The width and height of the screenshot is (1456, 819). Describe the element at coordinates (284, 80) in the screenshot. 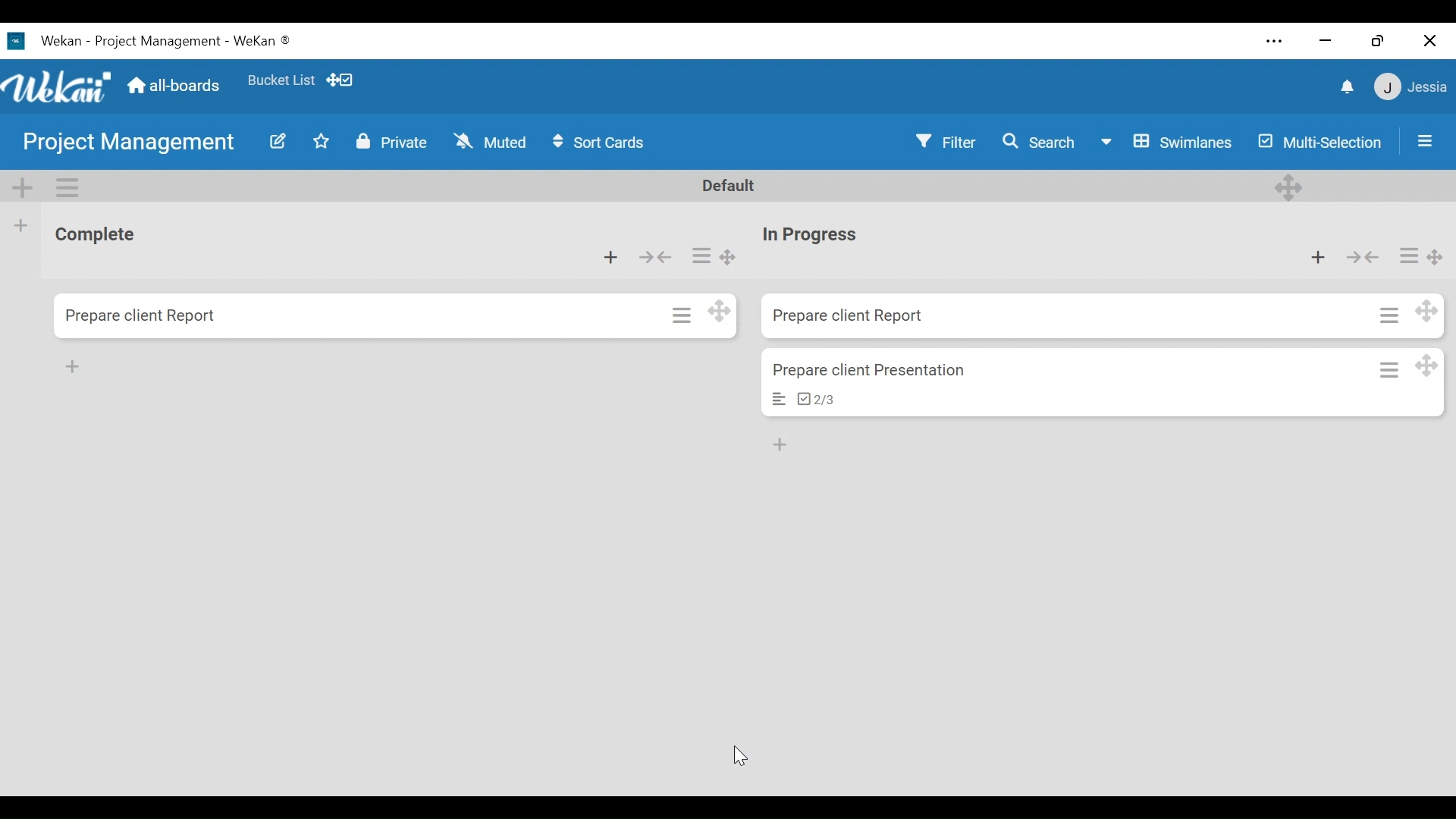

I see `Favorites` at that location.